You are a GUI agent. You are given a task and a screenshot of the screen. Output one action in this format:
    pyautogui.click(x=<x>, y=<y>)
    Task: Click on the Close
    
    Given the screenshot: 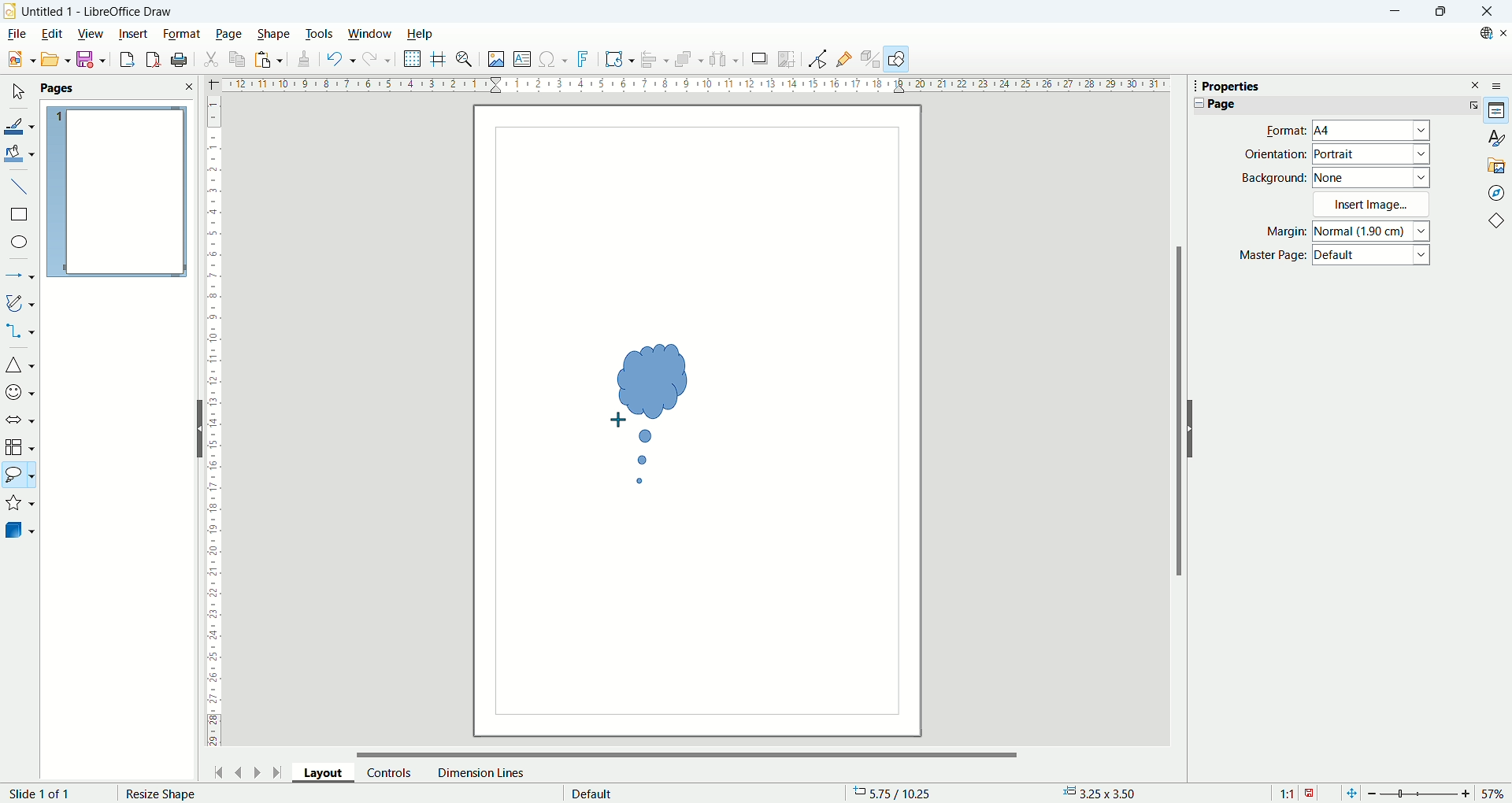 What is the action you would take?
    pyautogui.click(x=1487, y=12)
    